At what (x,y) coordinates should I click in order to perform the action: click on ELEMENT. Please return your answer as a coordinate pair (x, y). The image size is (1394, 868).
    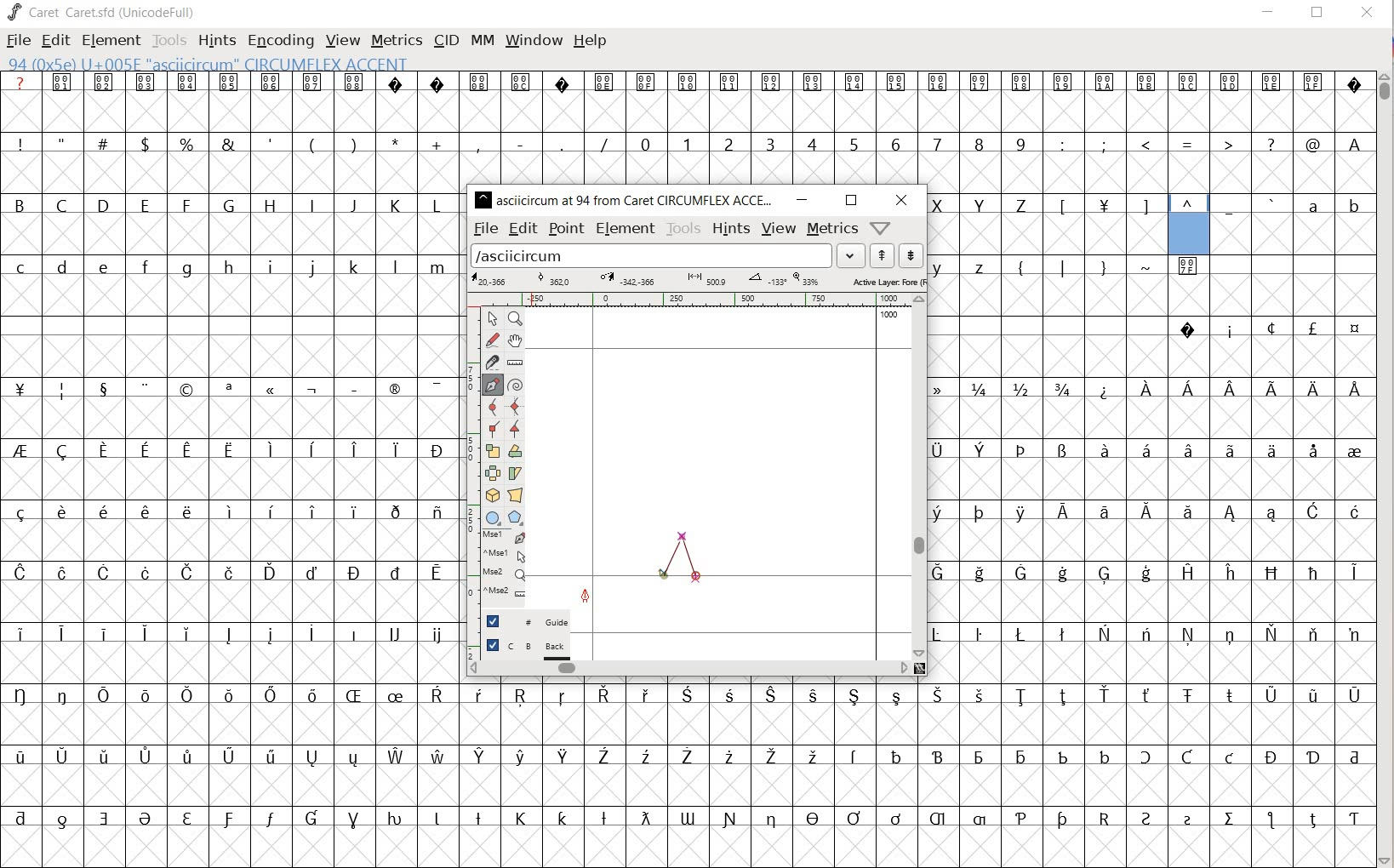
    Looking at the image, I should click on (109, 40).